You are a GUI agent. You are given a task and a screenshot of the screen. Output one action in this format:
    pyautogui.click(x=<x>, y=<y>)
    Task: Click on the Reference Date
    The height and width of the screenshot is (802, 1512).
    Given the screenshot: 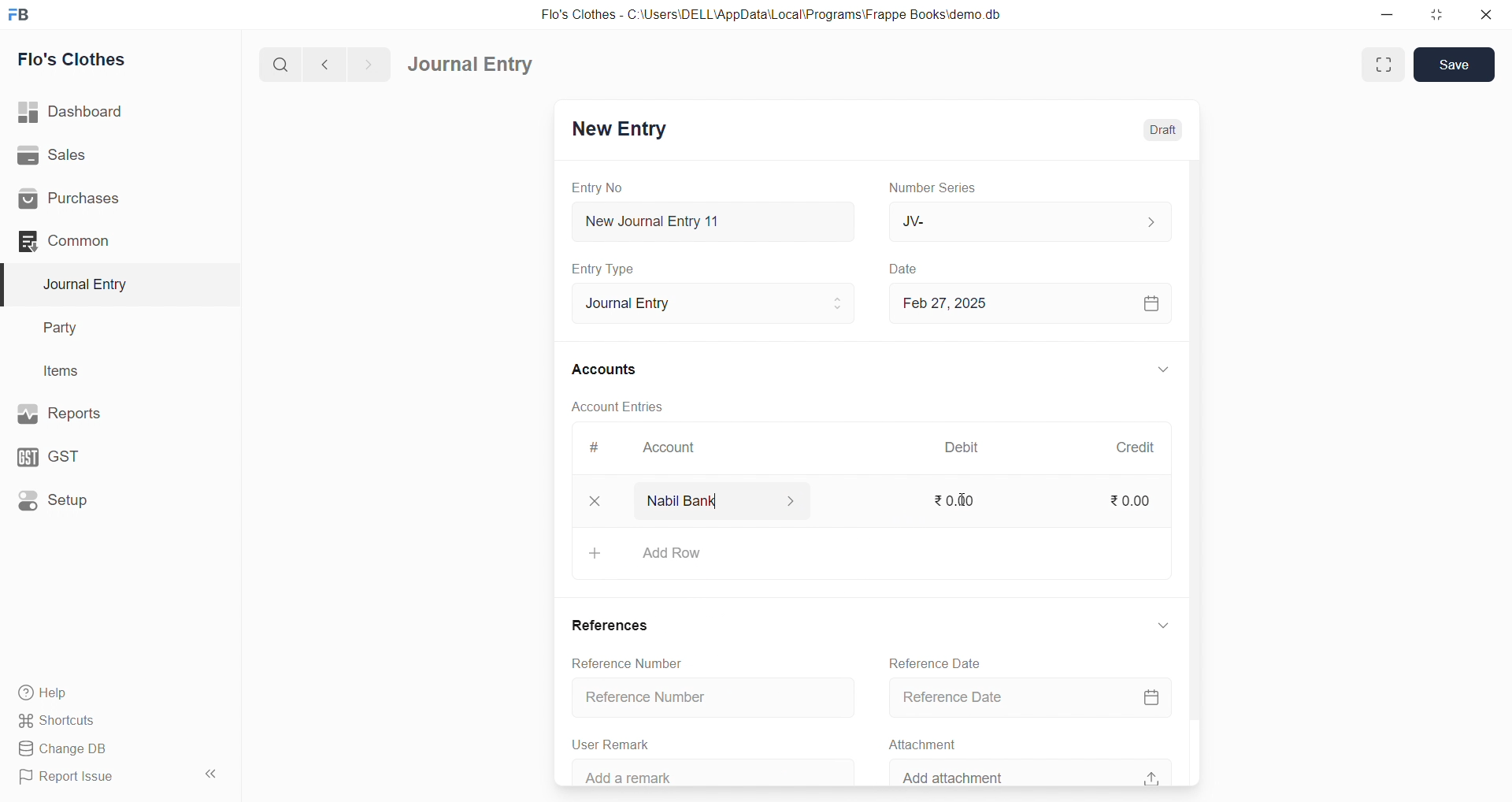 What is the action you would take?
    pyautogui.click(x=935, y=662)
    